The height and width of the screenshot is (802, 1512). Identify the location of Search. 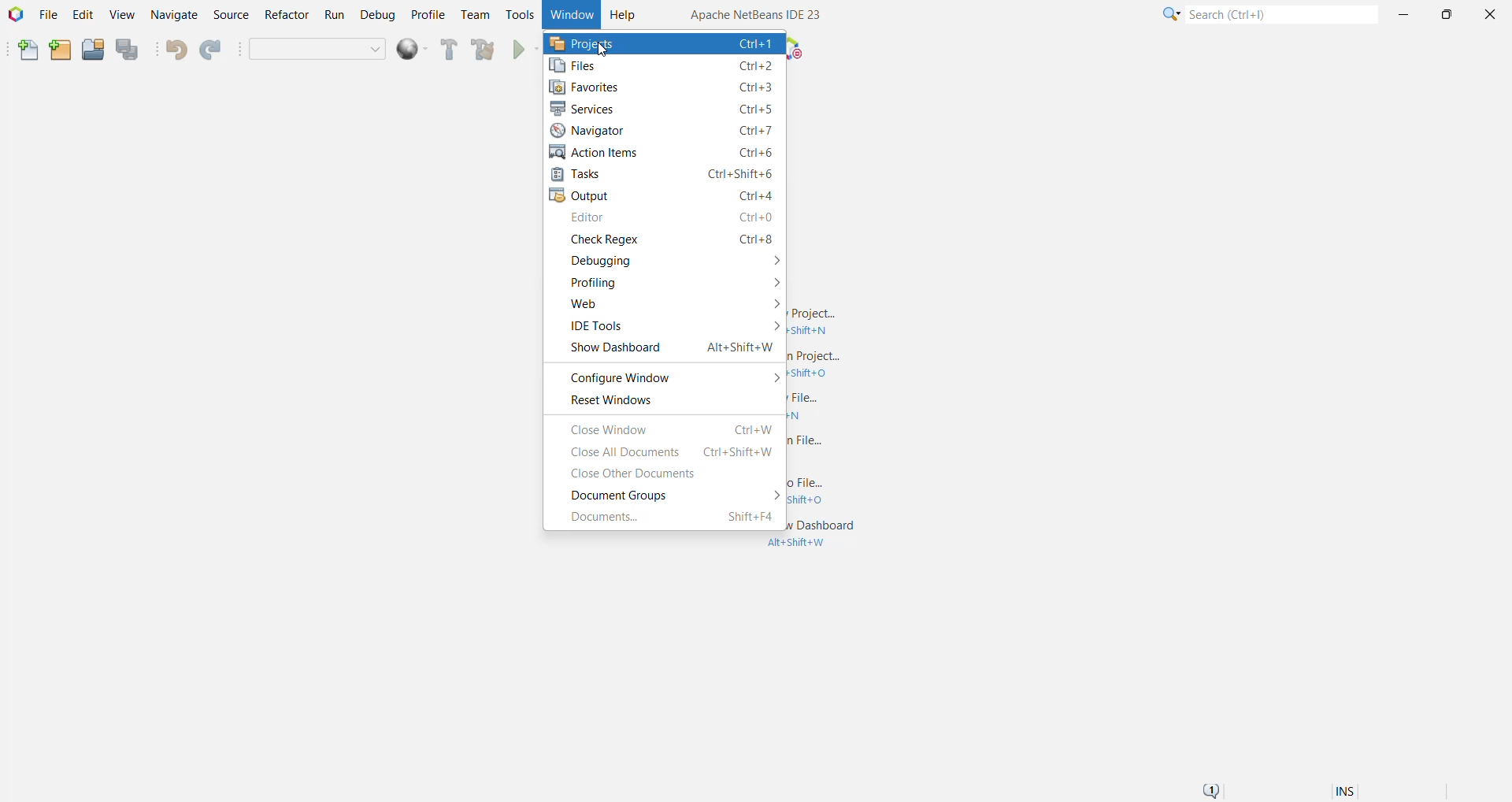
(1280, 16).